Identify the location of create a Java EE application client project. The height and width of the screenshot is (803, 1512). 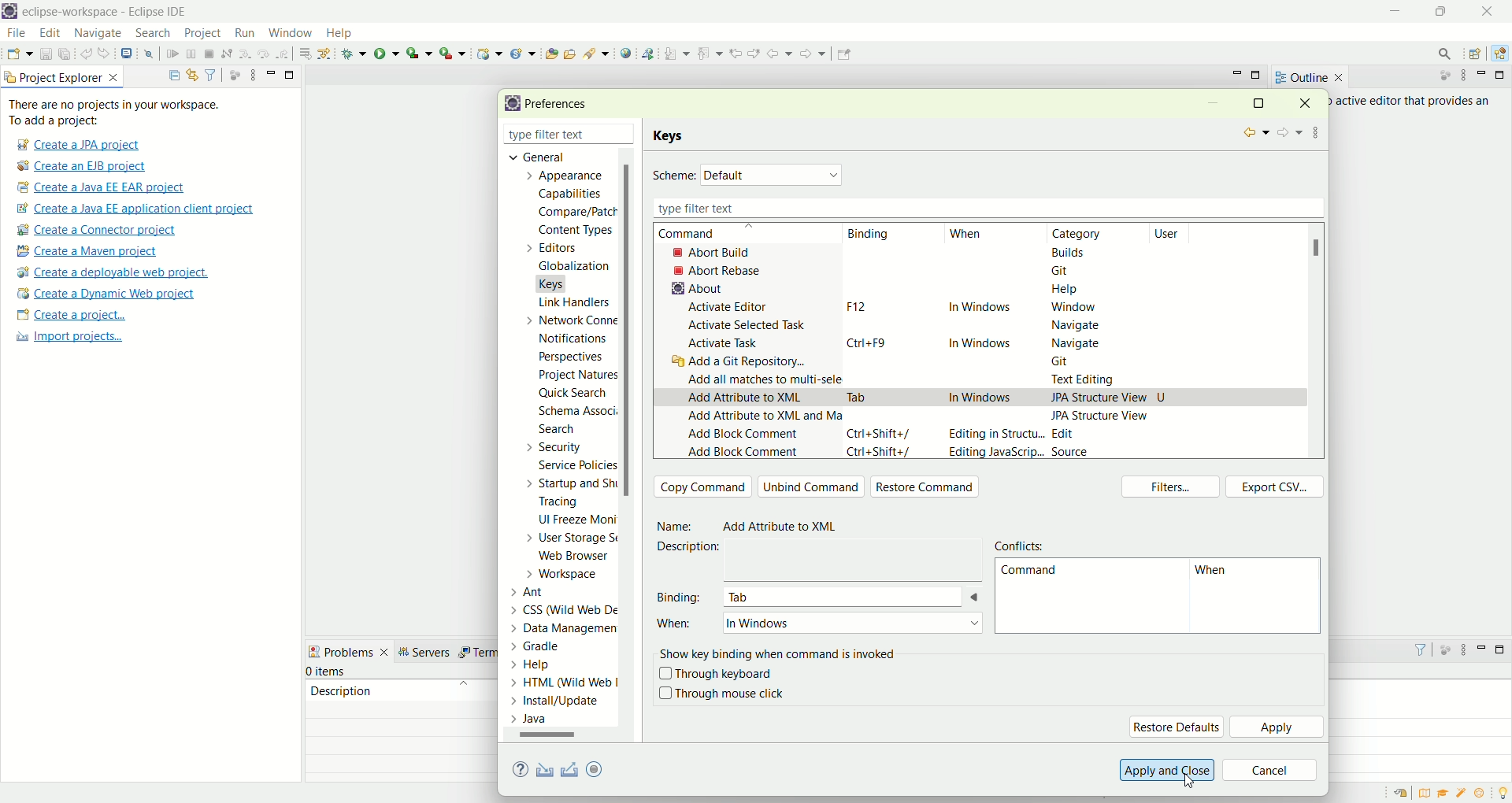
(135, 211).